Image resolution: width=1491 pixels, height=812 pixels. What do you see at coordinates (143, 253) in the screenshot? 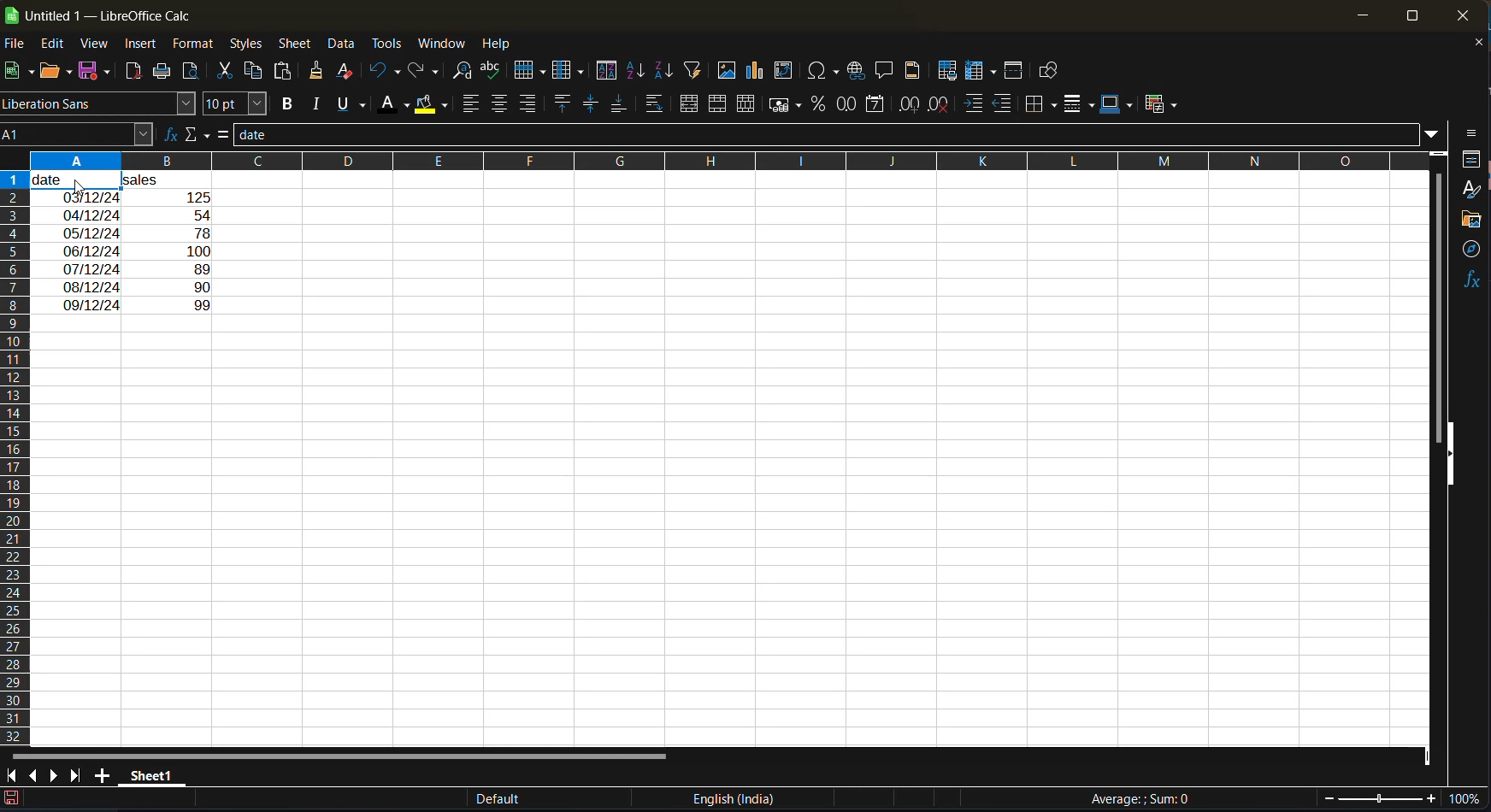
I see `input text` at bounding box center [143, 253].